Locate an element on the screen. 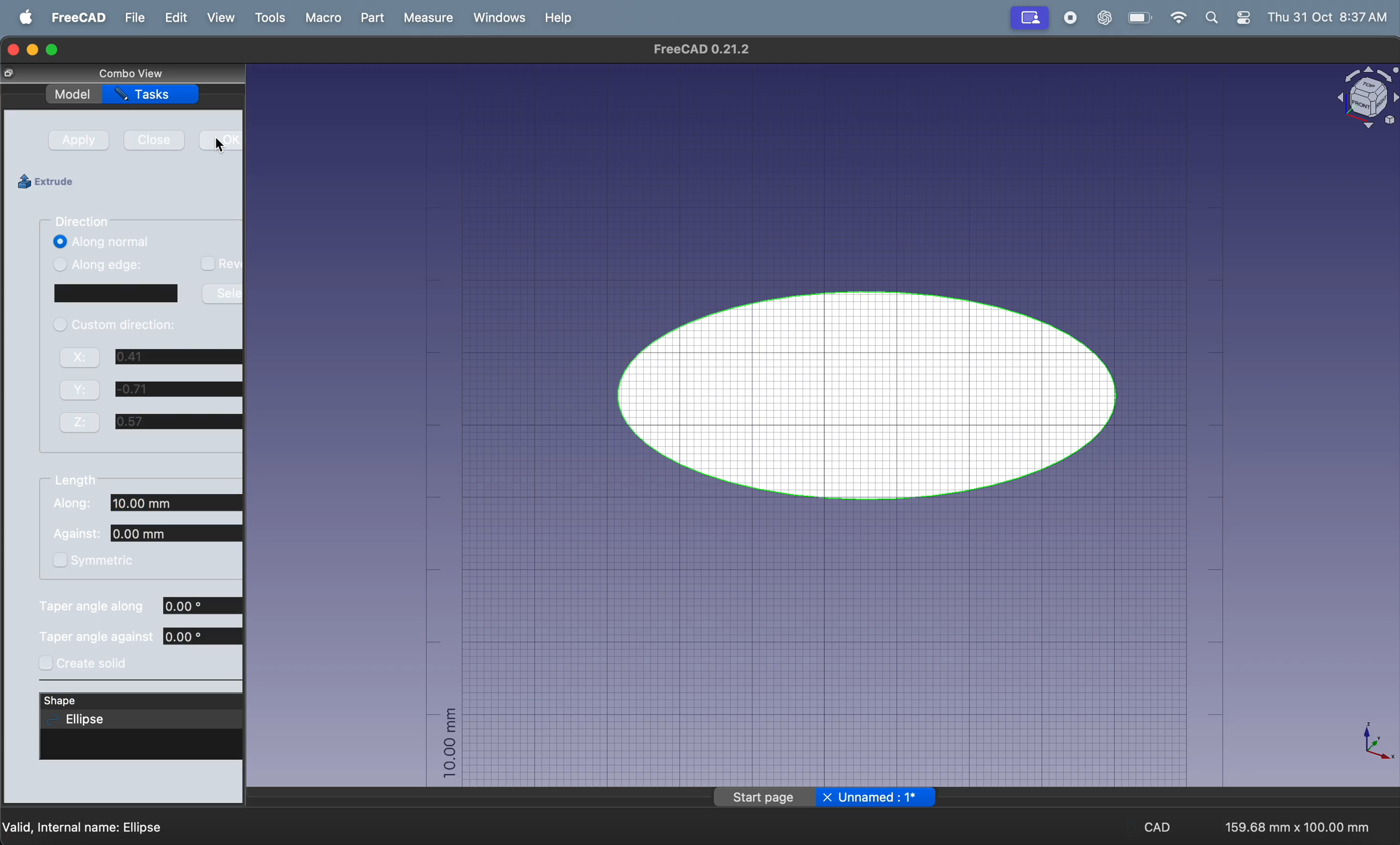  marco is located at coordinates (322, 18).